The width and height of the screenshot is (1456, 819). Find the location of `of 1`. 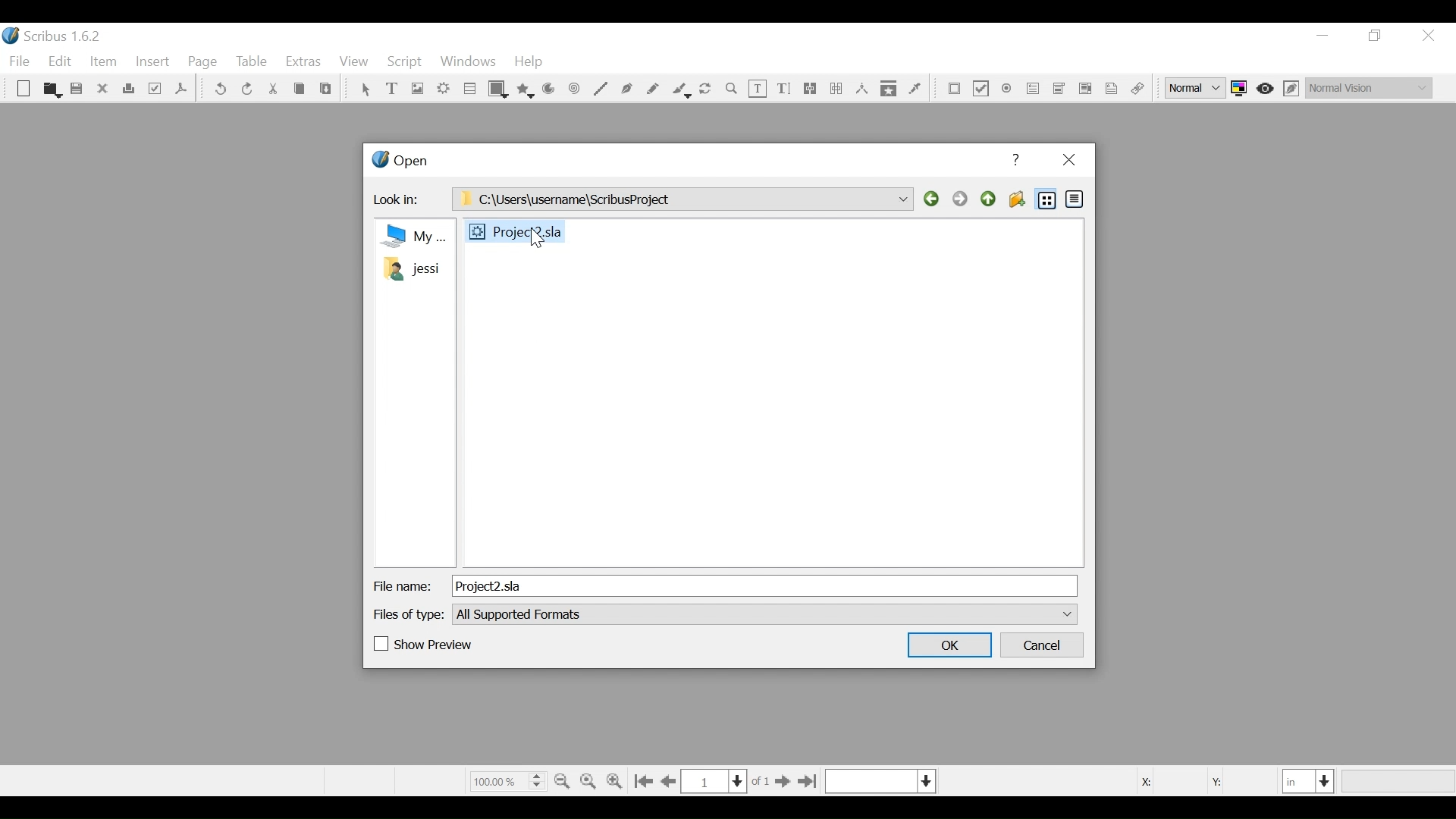

of 1 is located at coordinates (758, 782).